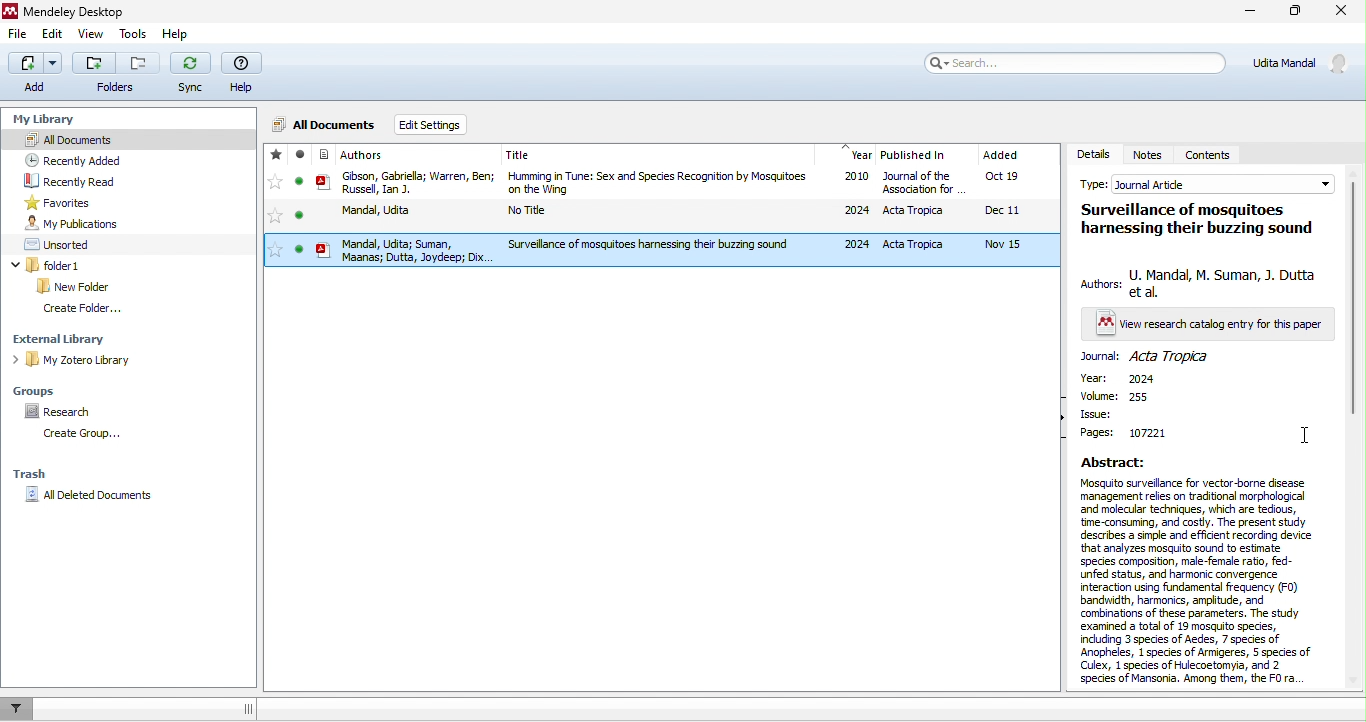 The height and width of the screenshot is (722, 1366). Describe the element at coordinates (23, 709) in the screenshot. I see `filter` at that location.